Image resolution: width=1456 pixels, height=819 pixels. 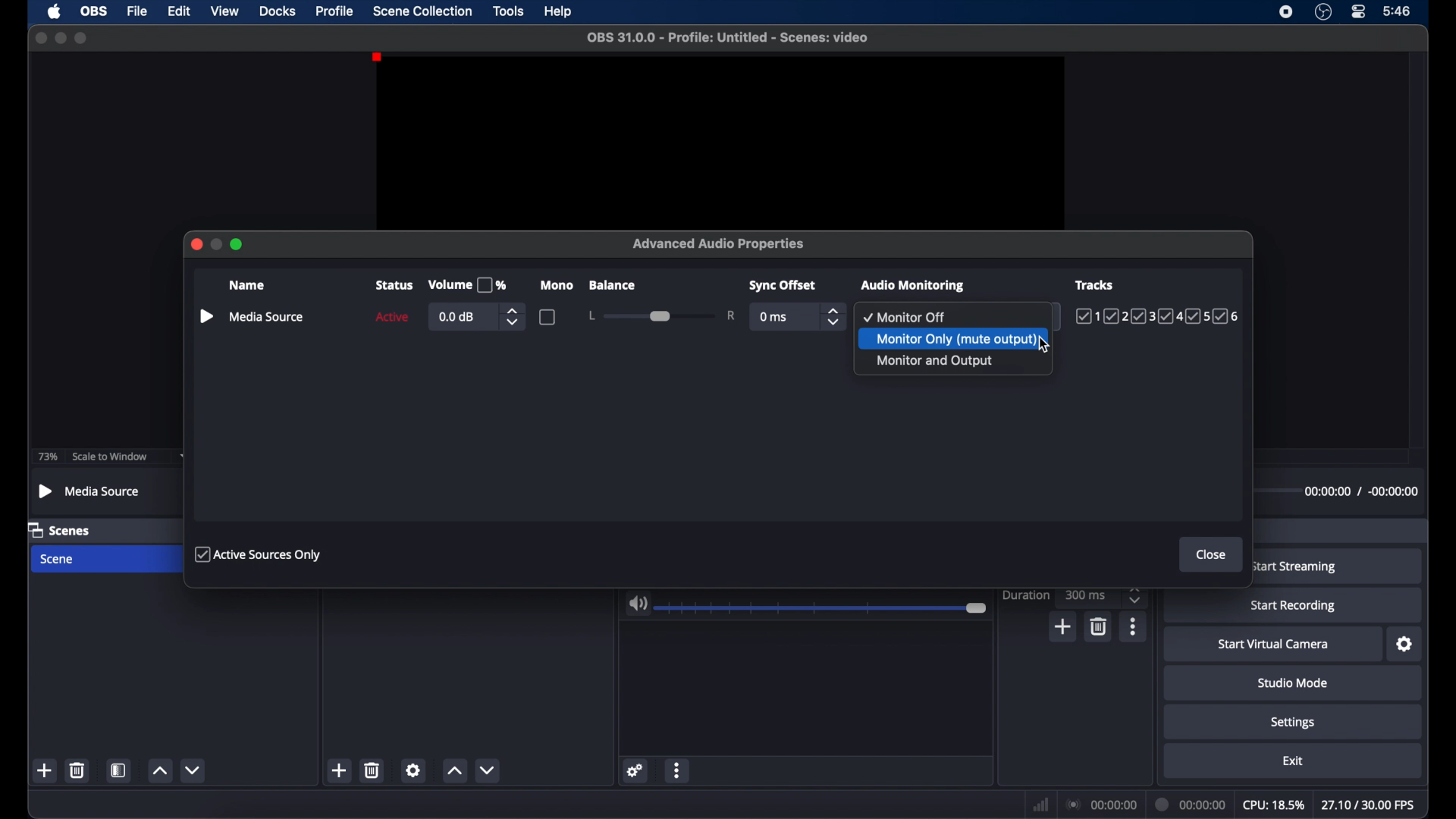 What do you see at coordinates (394, 285) in the screenshot?
I see `status` at bounding box center [394, 285].